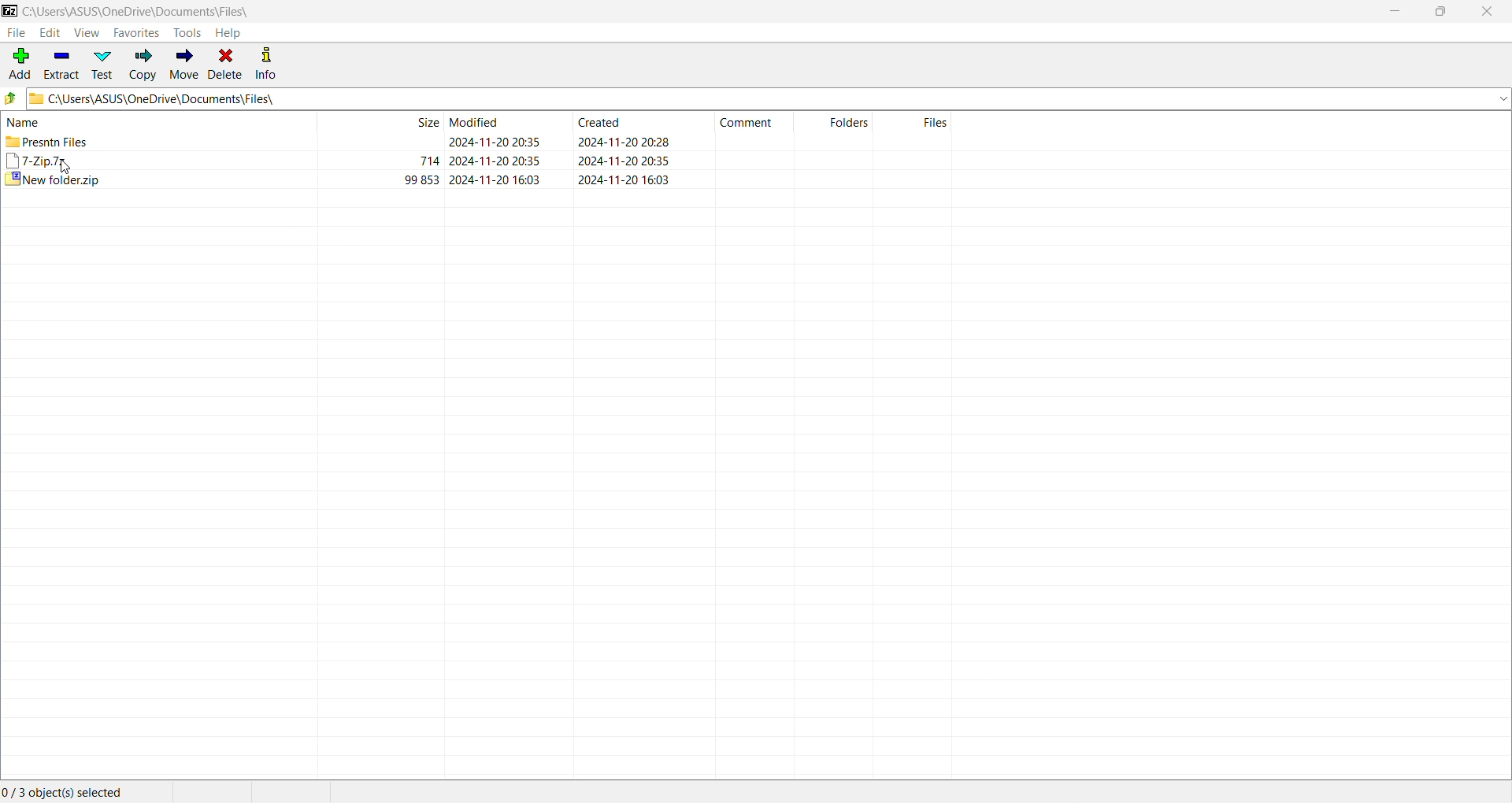  Describe the element at coordinates (102, 65) in the screenshot. I see `Test` at that location.